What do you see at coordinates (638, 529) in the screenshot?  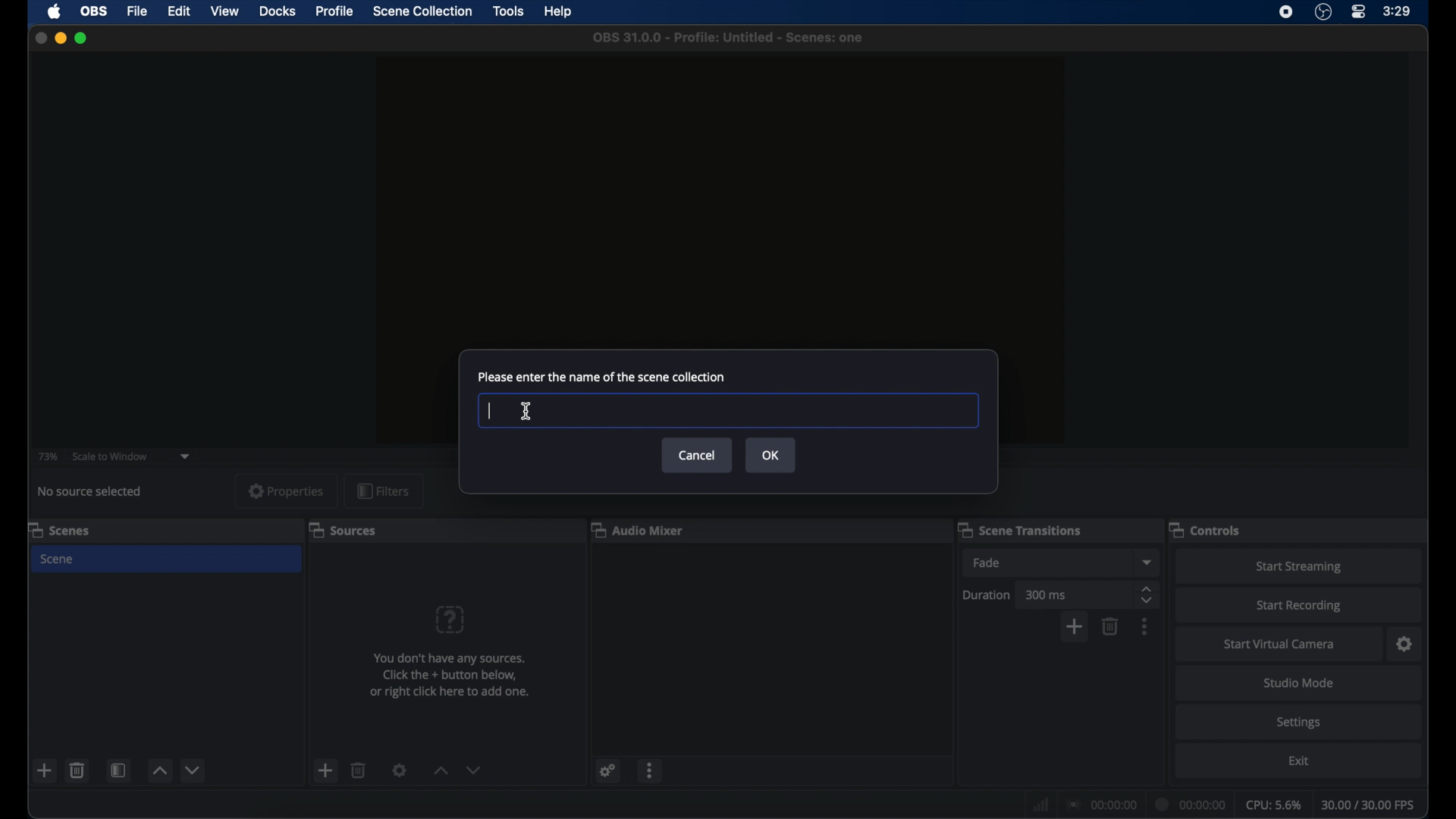 I see `audio mixer` at bounding box center [638, 529].